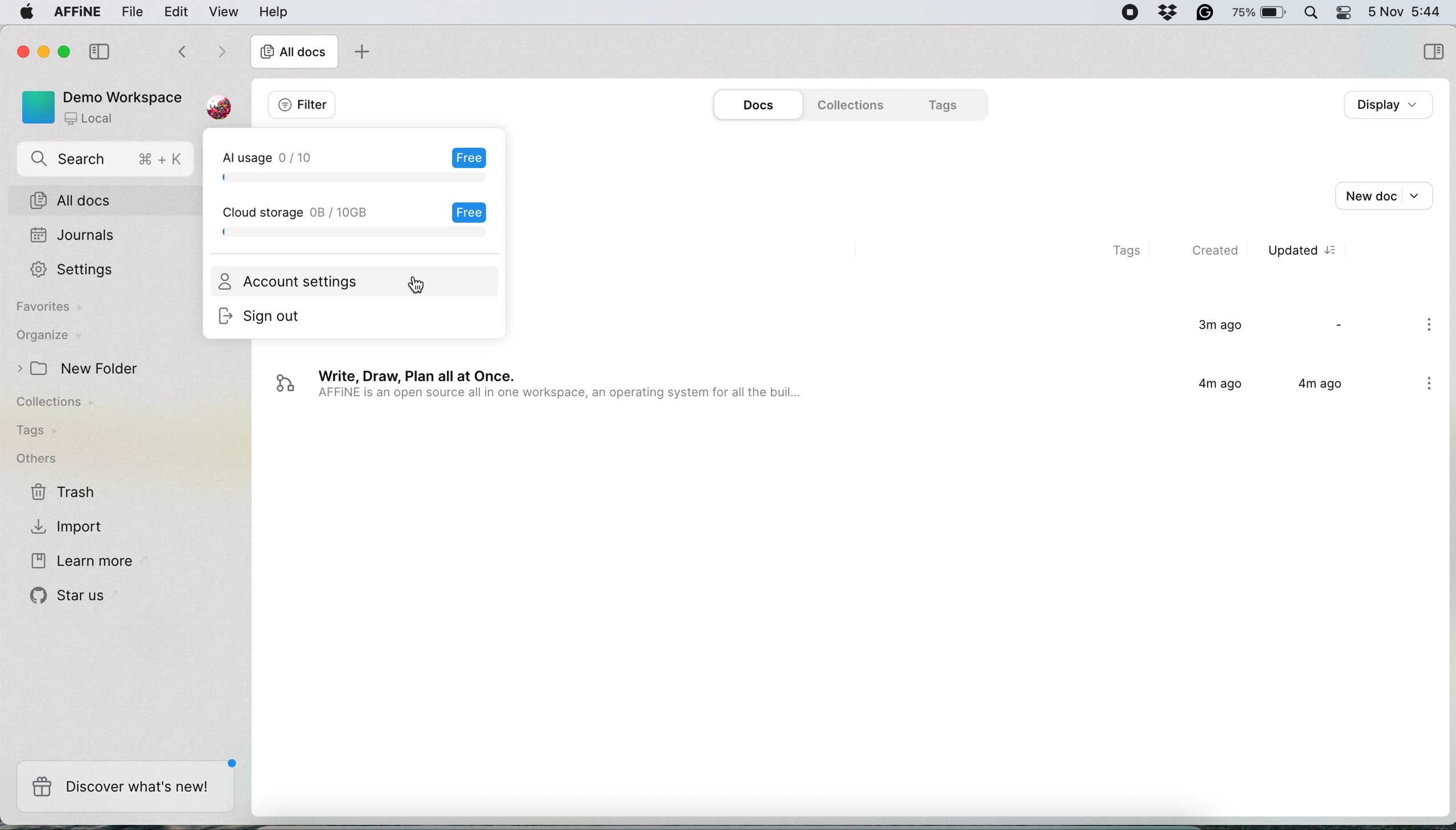  I want to click on 3m ago, so click(1213, 326).